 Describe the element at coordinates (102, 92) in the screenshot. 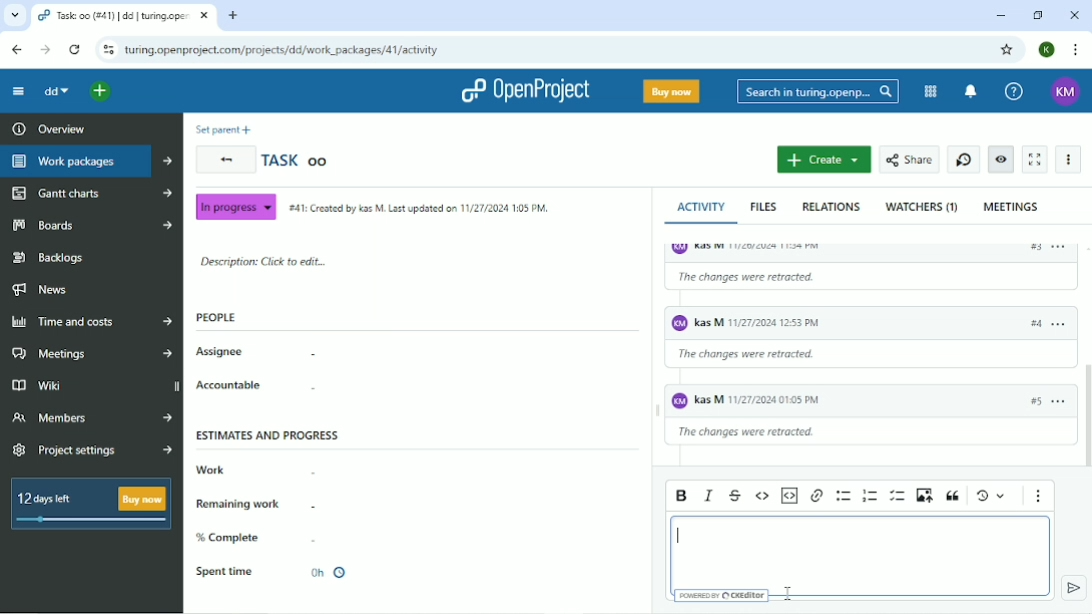

I see `Open quick add menu` at that location.